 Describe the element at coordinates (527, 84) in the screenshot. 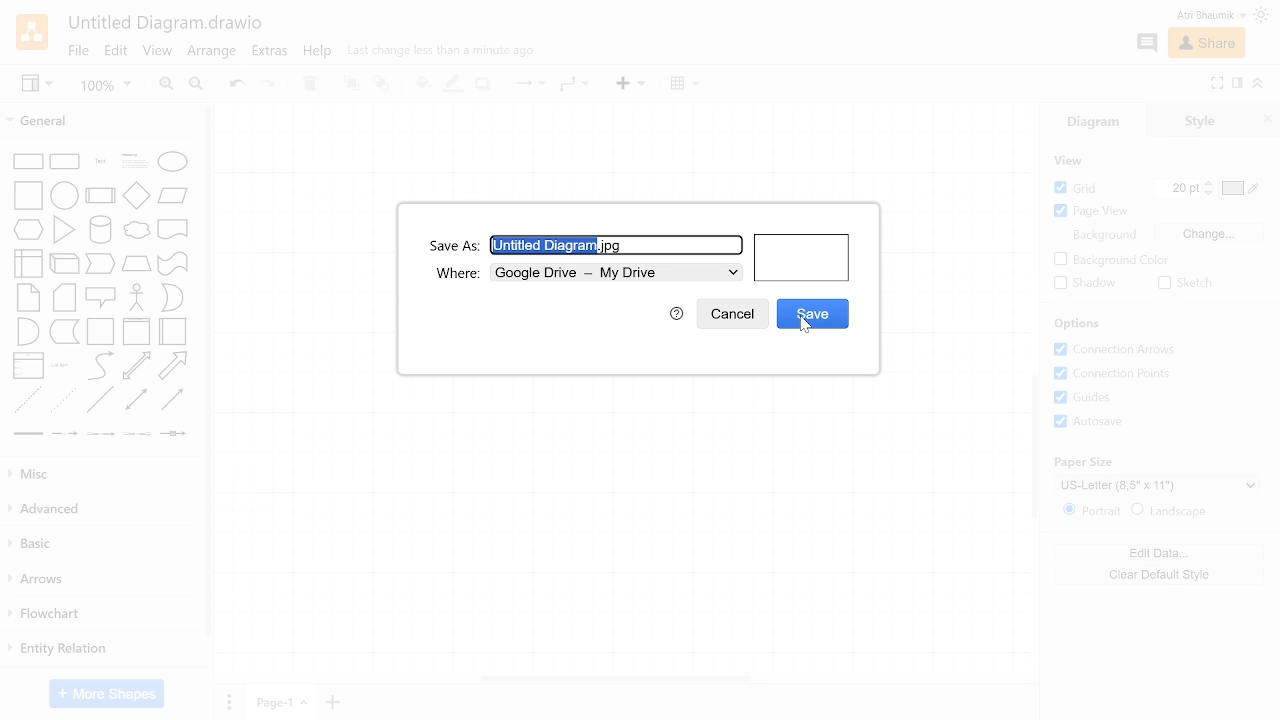

I see `Connection` at that location.